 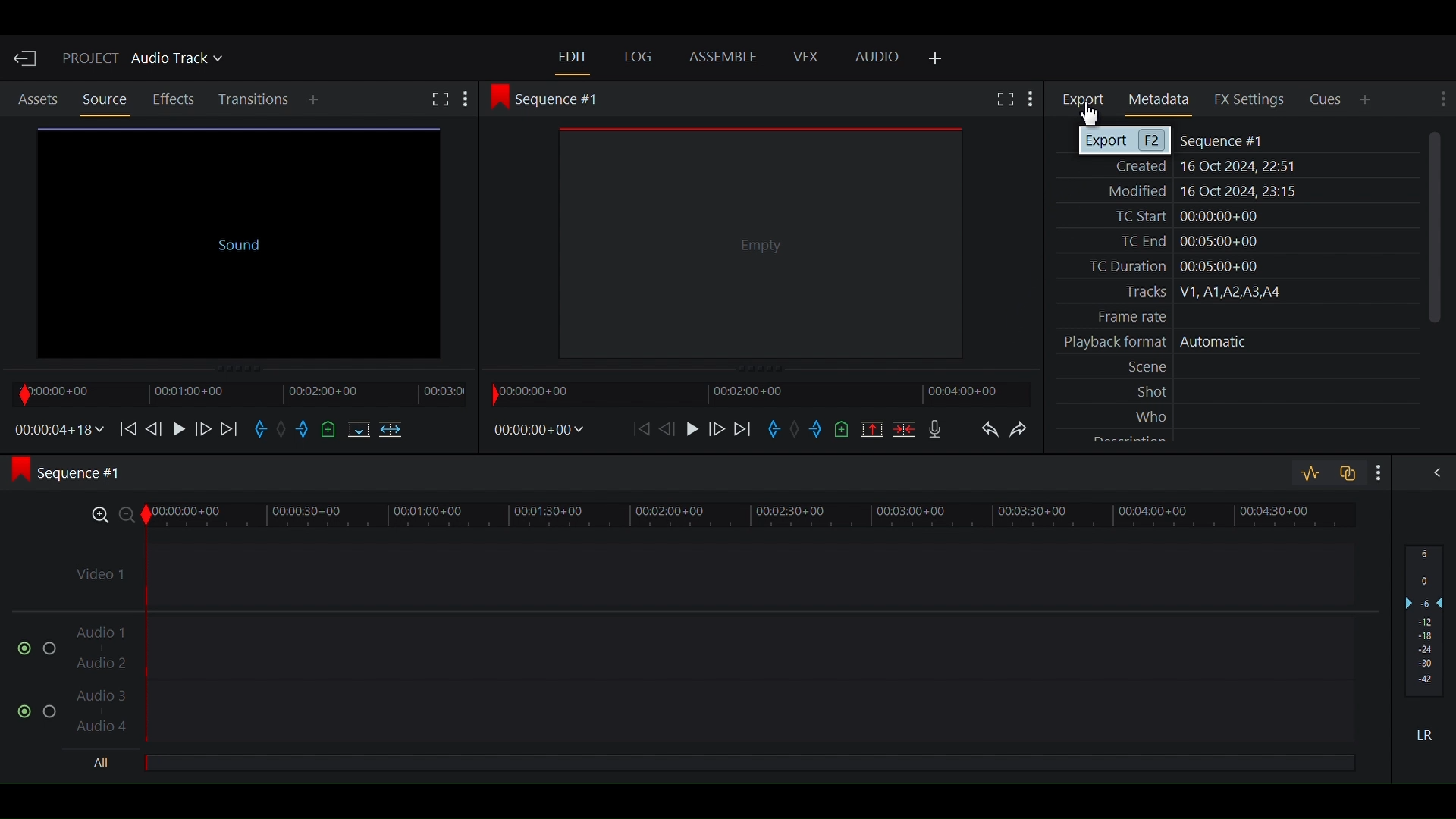 I want to click on Exit Current Project, so click(x=27, y=58).